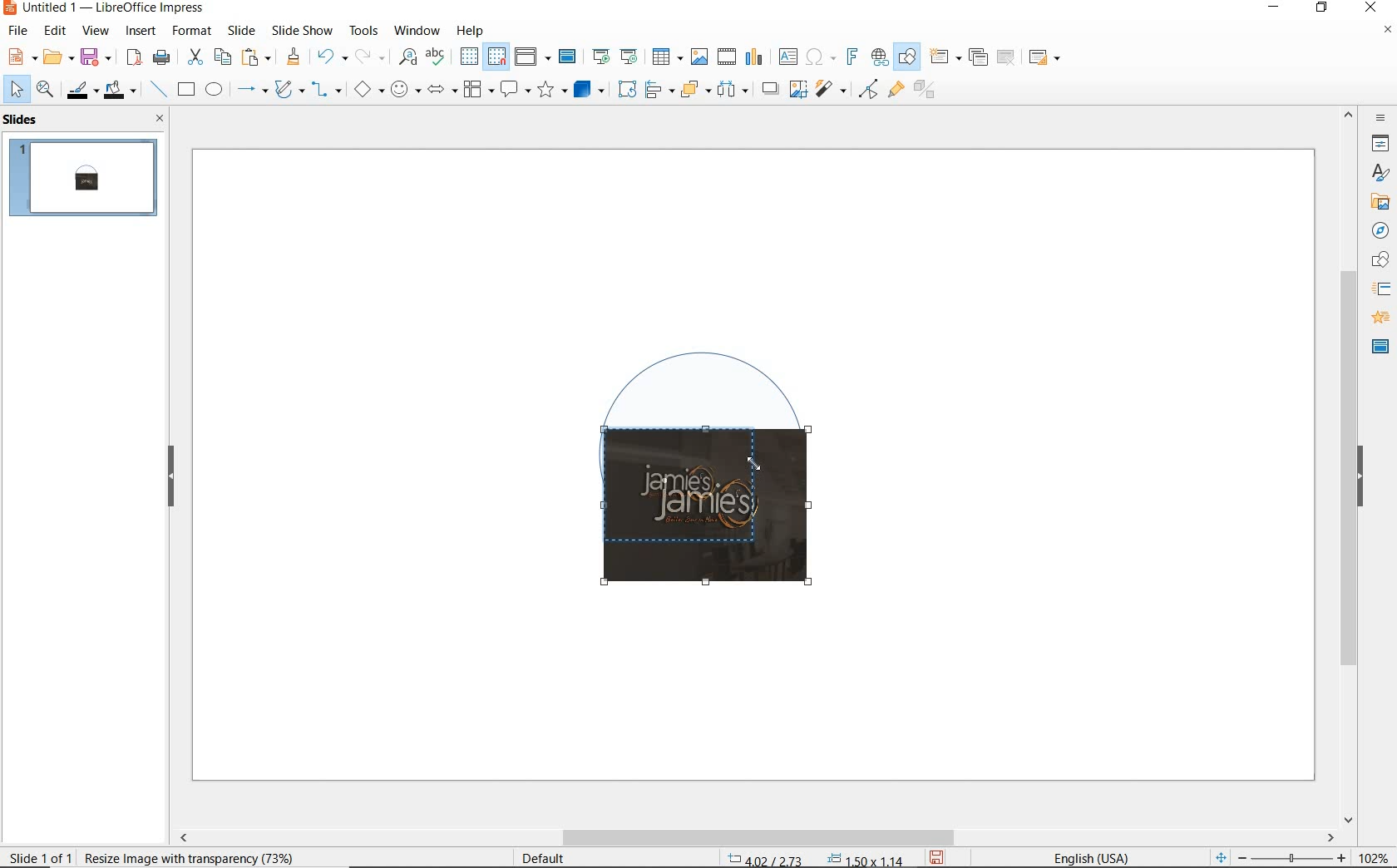 This screenshot has width=1397, height=868. Describe the element at coordinates (1377, 201) in the screenshot. I see `gallery` at that location.